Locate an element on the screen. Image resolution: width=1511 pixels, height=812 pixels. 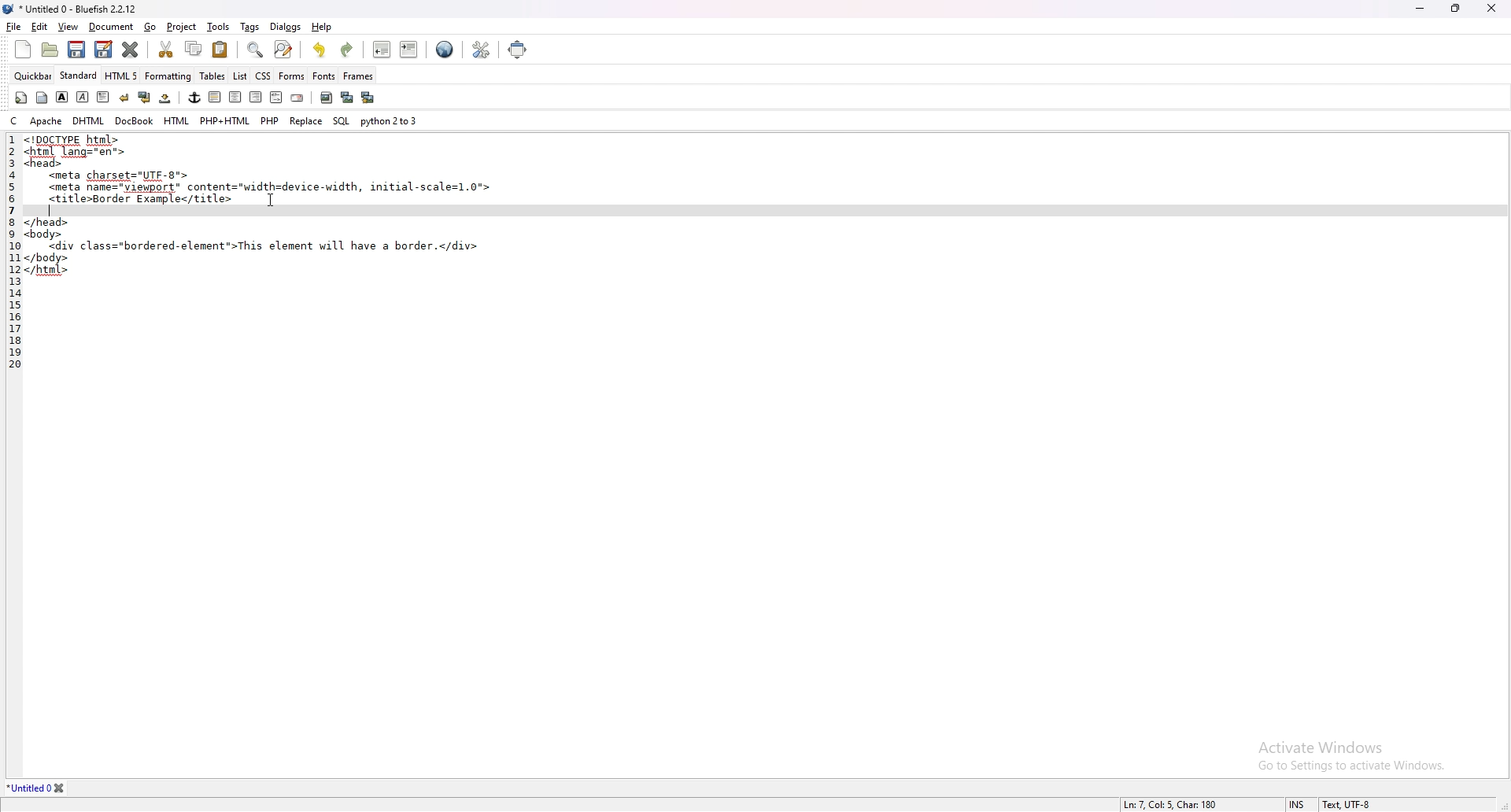
dialogs is located at coordinates (285, 26).